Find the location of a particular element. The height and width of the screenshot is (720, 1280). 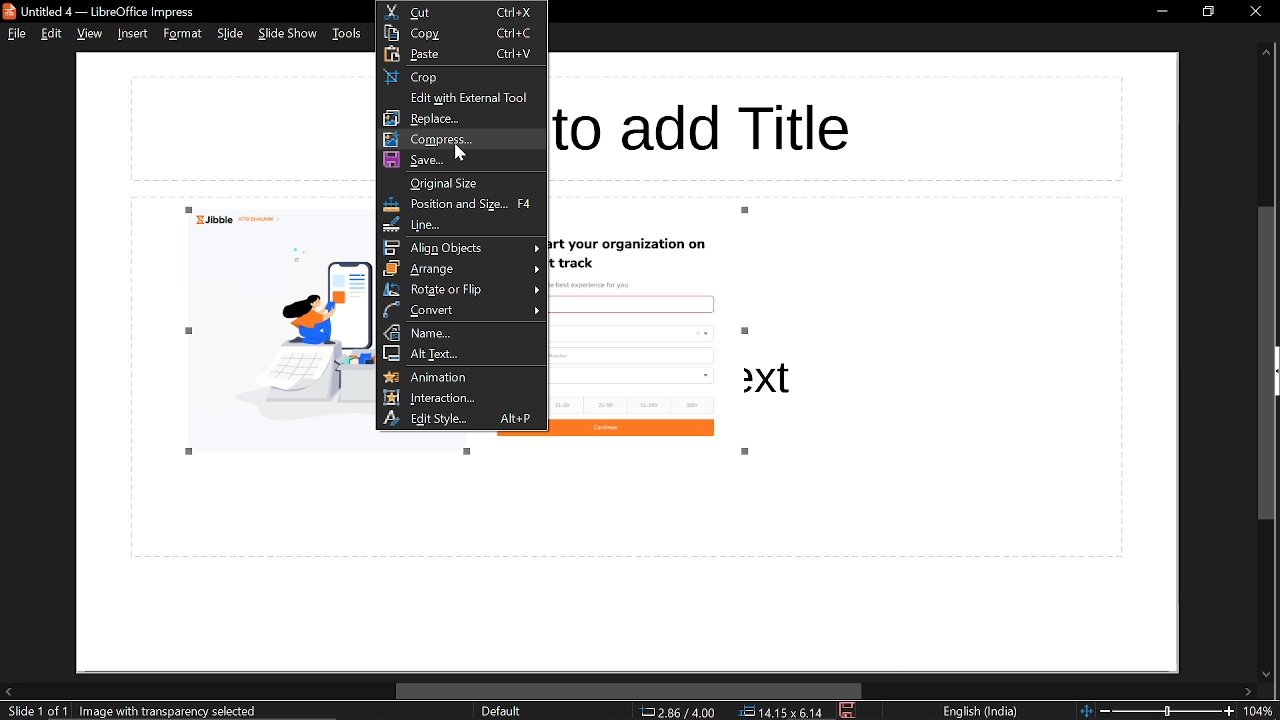

cut is located at coordinates (461, 11).